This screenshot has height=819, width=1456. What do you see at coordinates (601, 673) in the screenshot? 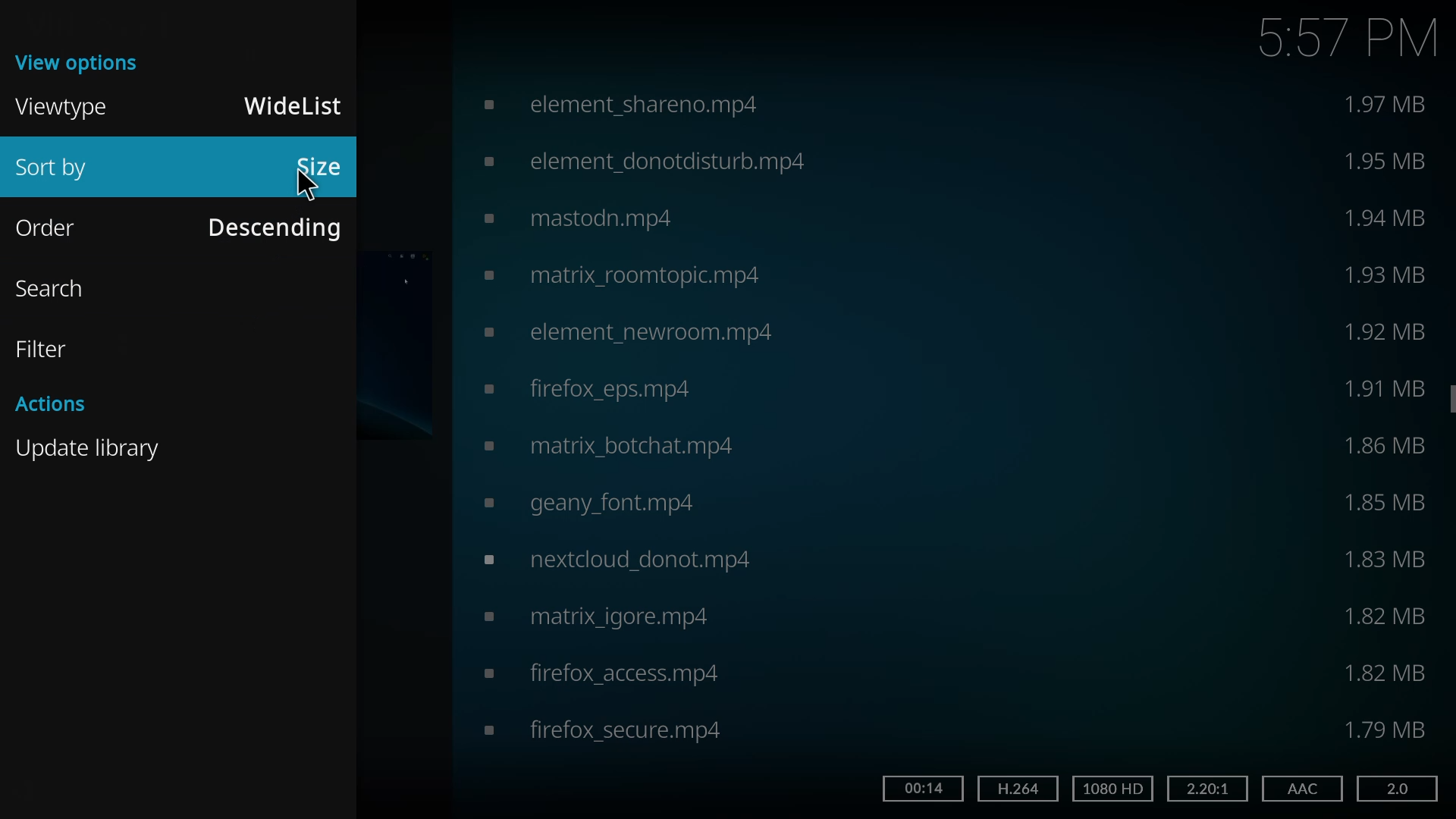
I see `video` at bounding box center [601, 673].